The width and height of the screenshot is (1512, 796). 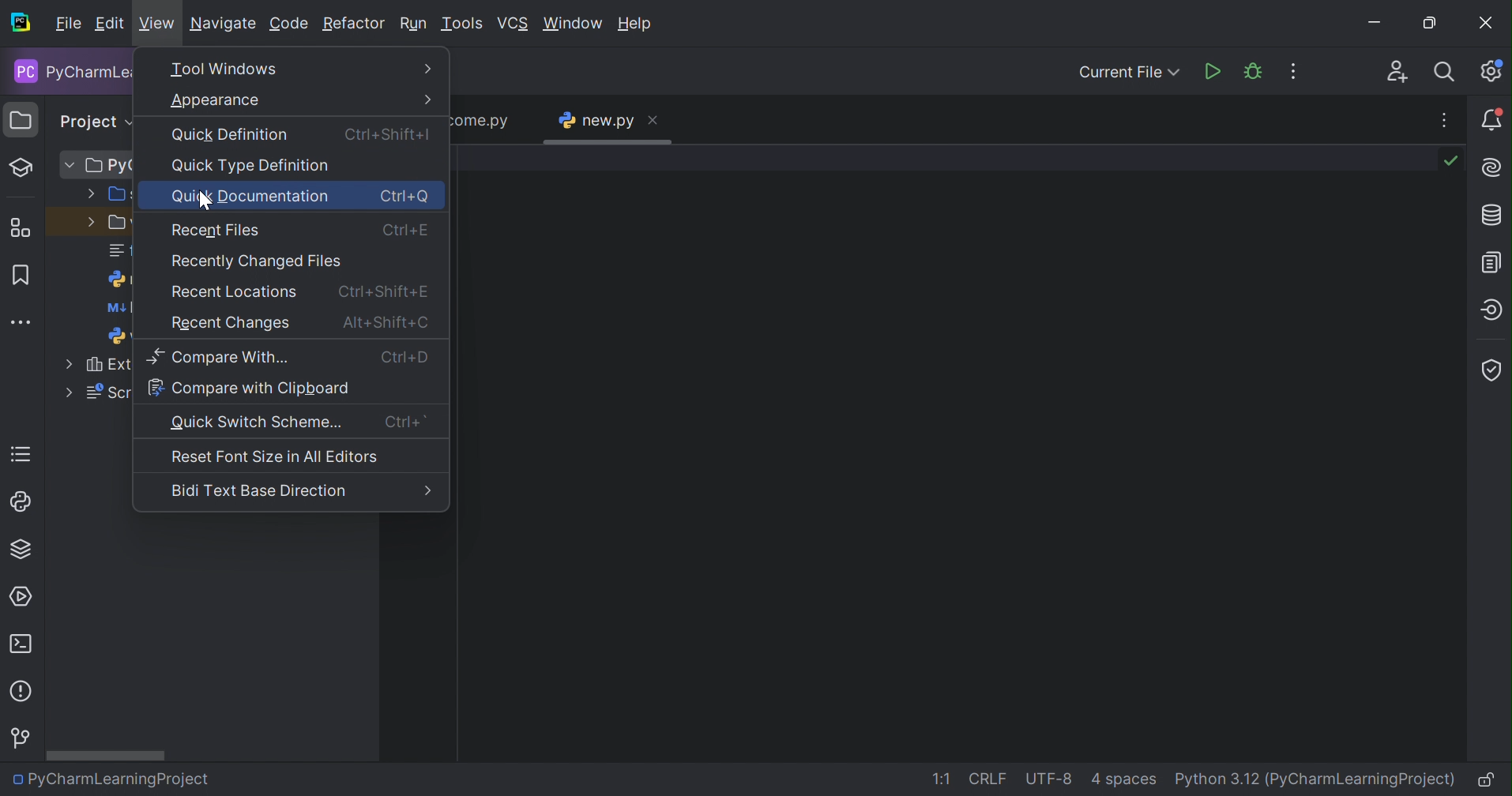 What do you see at coordinates (106, 755) in the screenshot?
I see `Scroll bar` at bounding box center [106, 755].